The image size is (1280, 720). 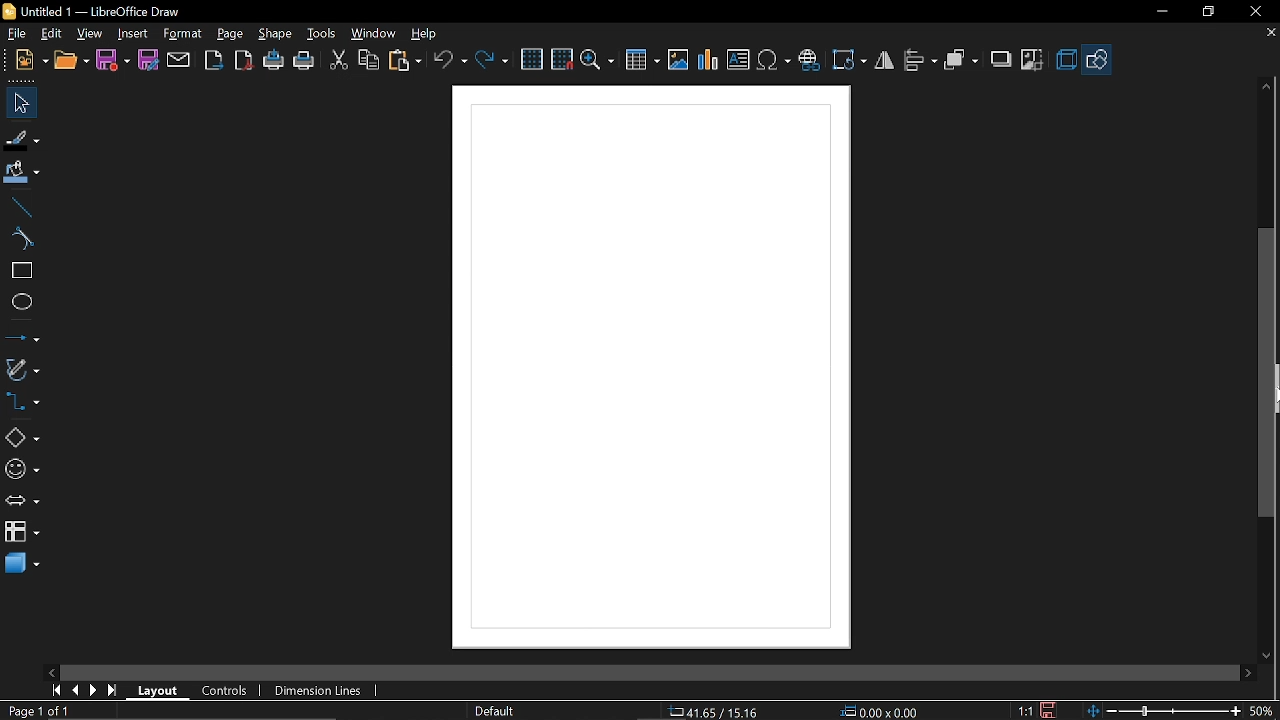 I want to click on new, so click(x=31, y=61).